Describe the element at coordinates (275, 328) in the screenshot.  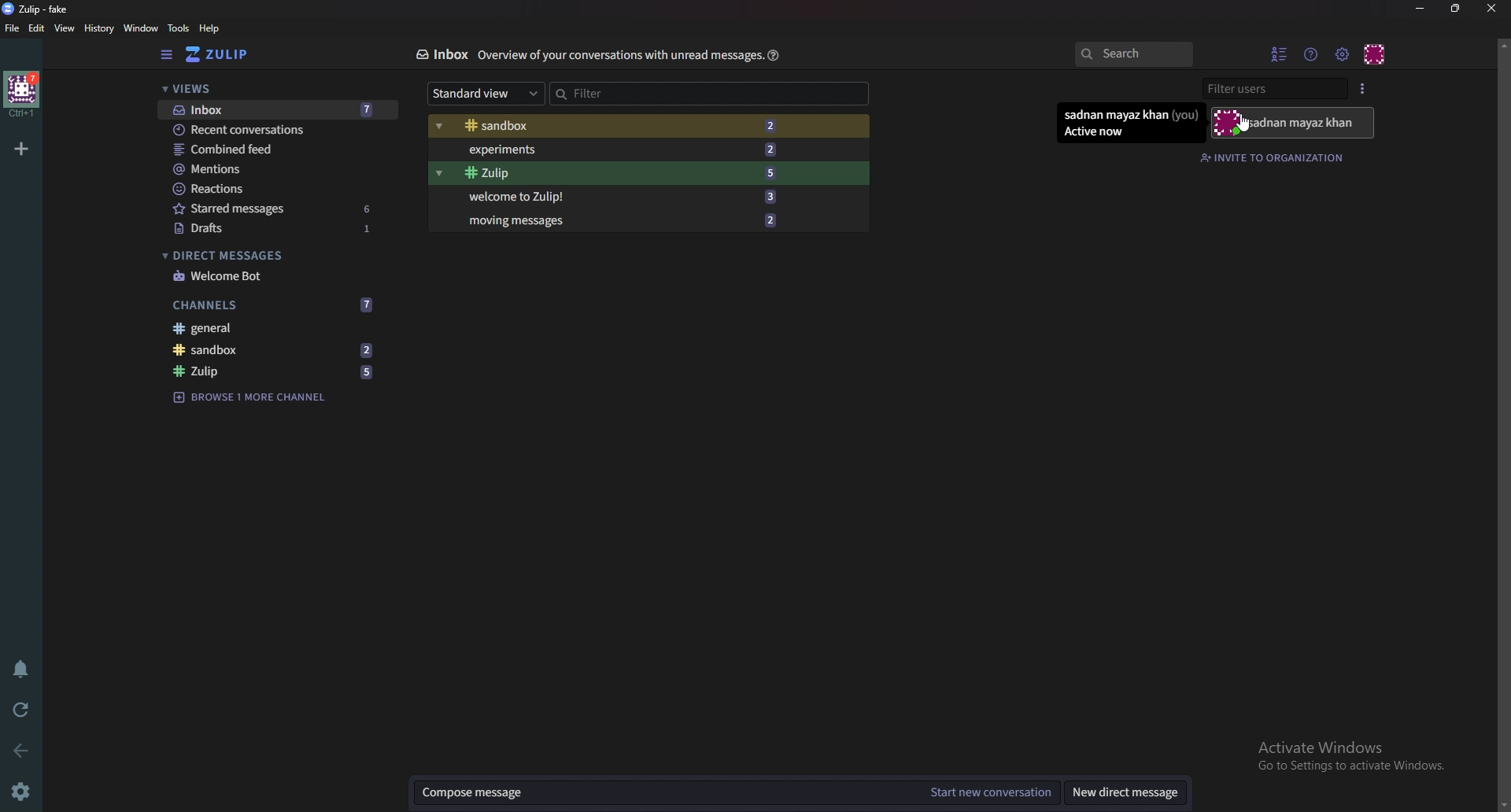
I see `General` at that location.